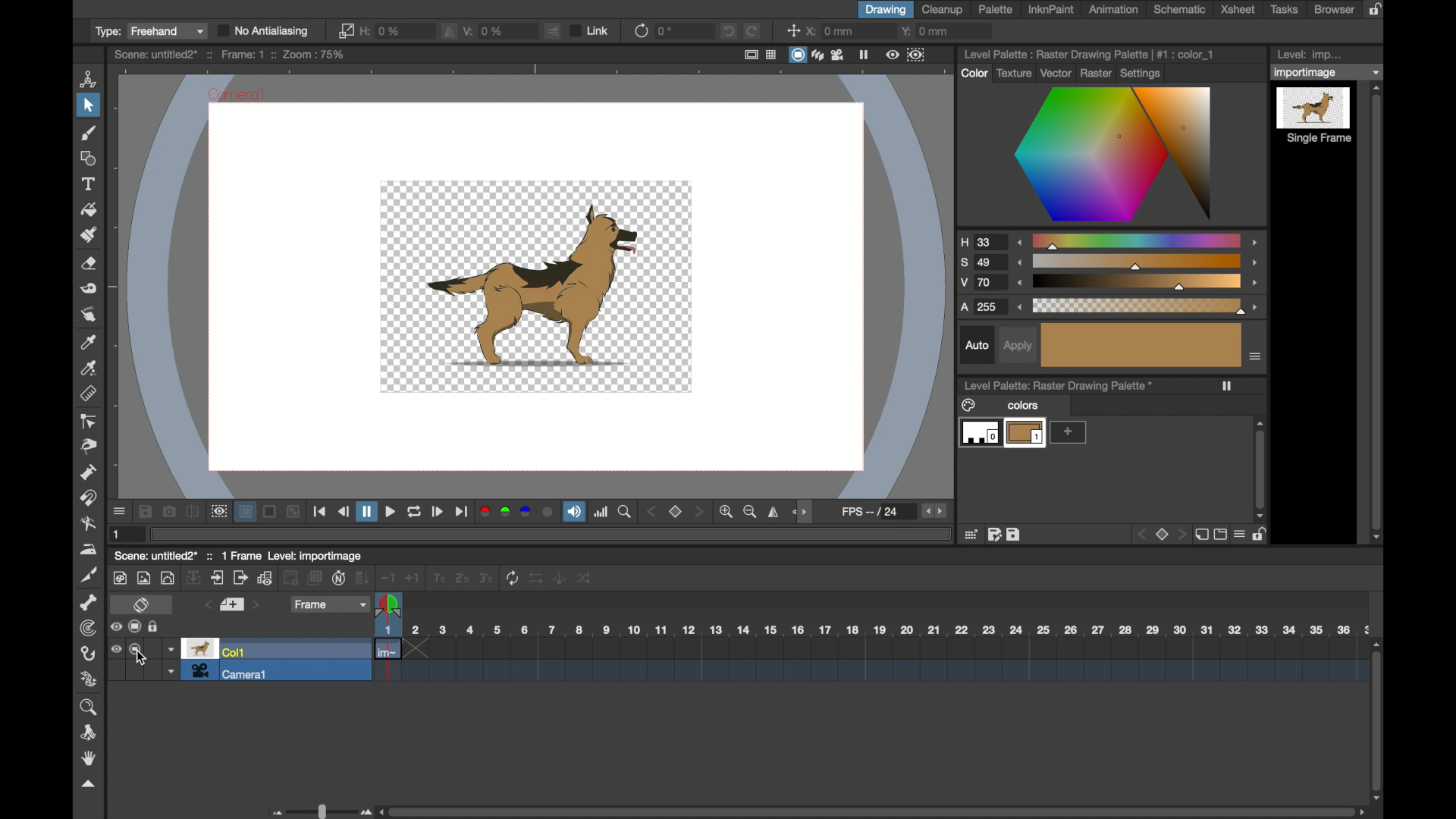 This screenshot has height=819, width=1456. Describe the element at coordinates (388, 578) in the screenshot. I see `-1` at that location.